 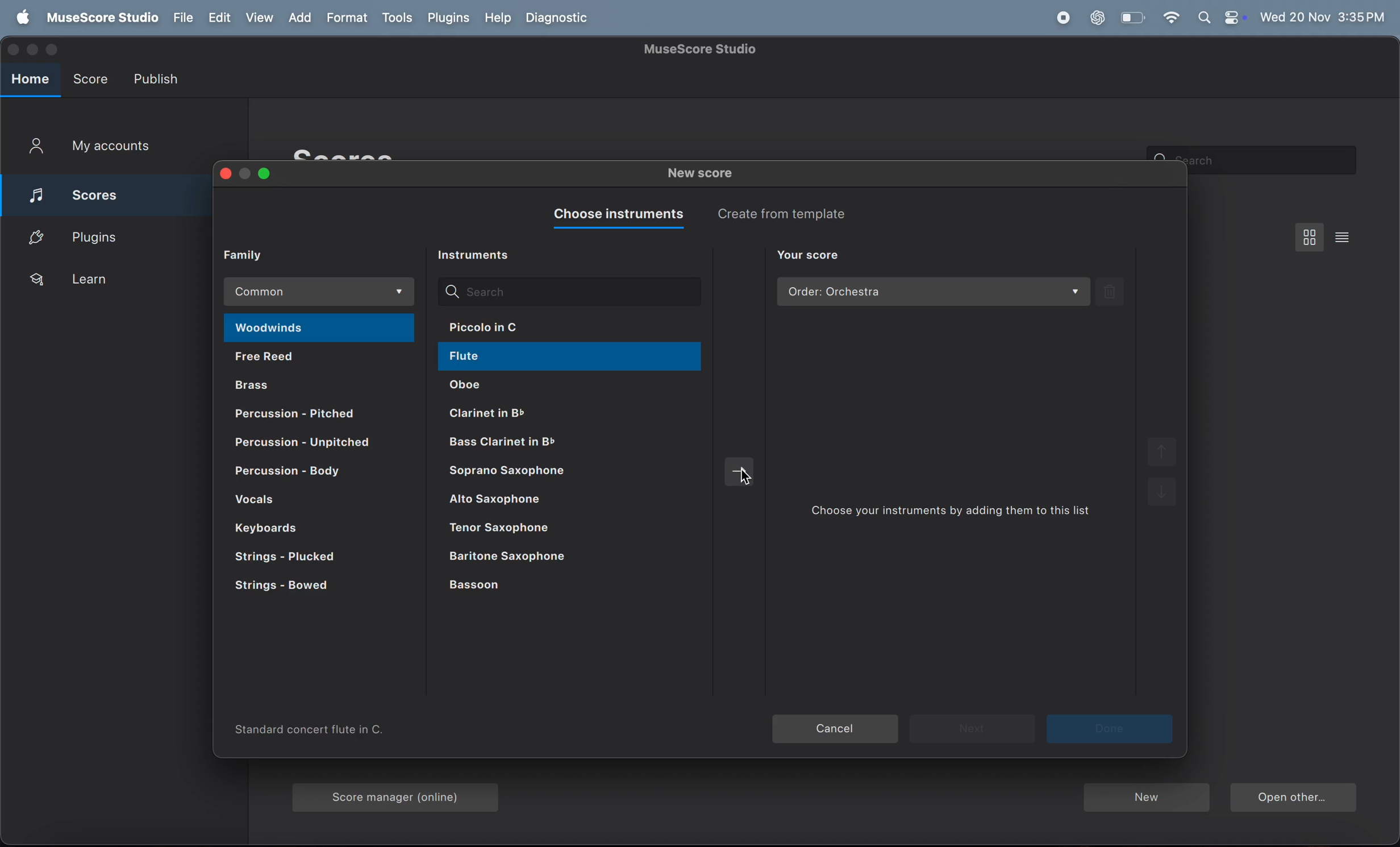 I want to click on minimize, so click(x=246, y=174).